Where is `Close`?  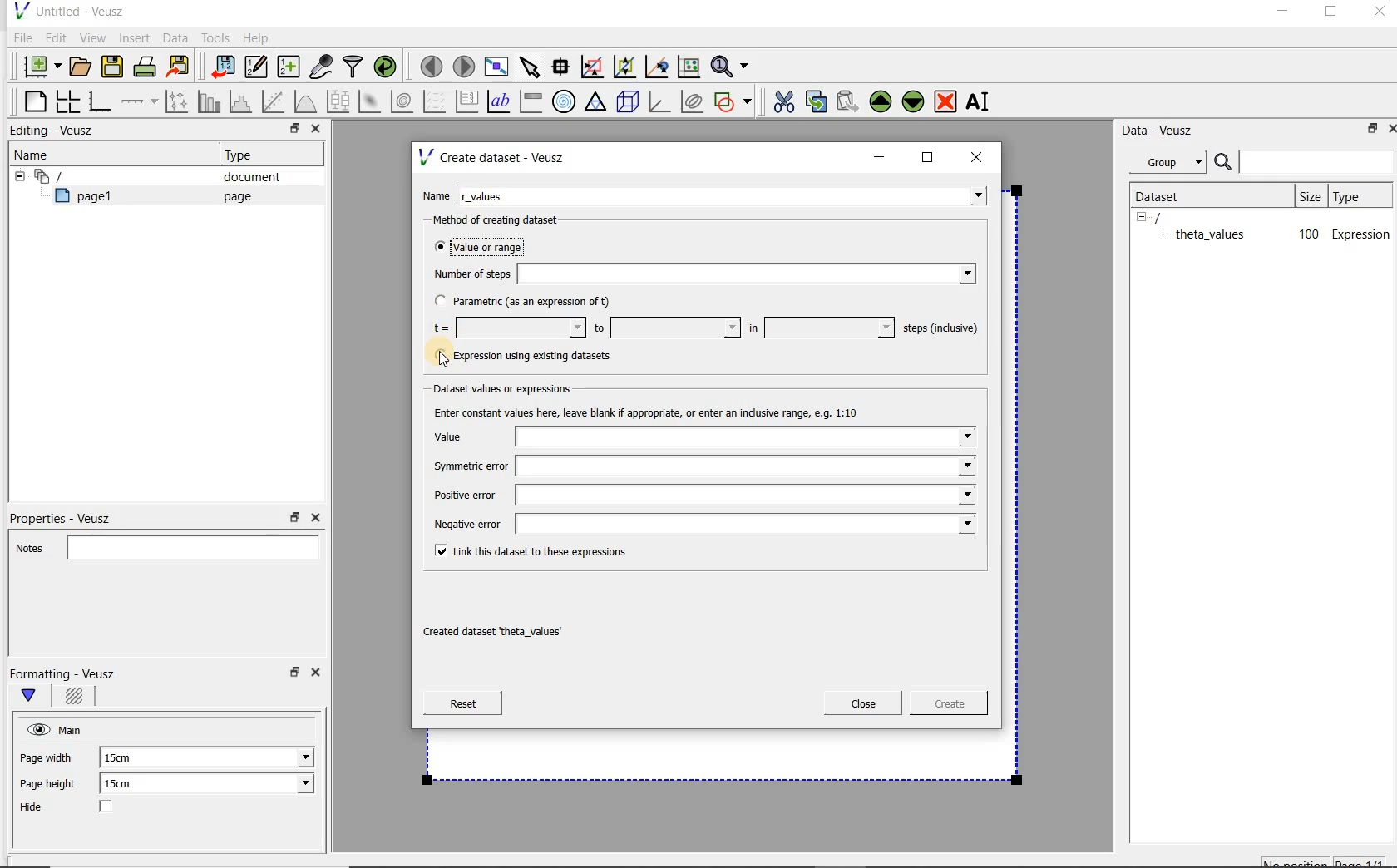
Close is located at coordinates (314, 131).